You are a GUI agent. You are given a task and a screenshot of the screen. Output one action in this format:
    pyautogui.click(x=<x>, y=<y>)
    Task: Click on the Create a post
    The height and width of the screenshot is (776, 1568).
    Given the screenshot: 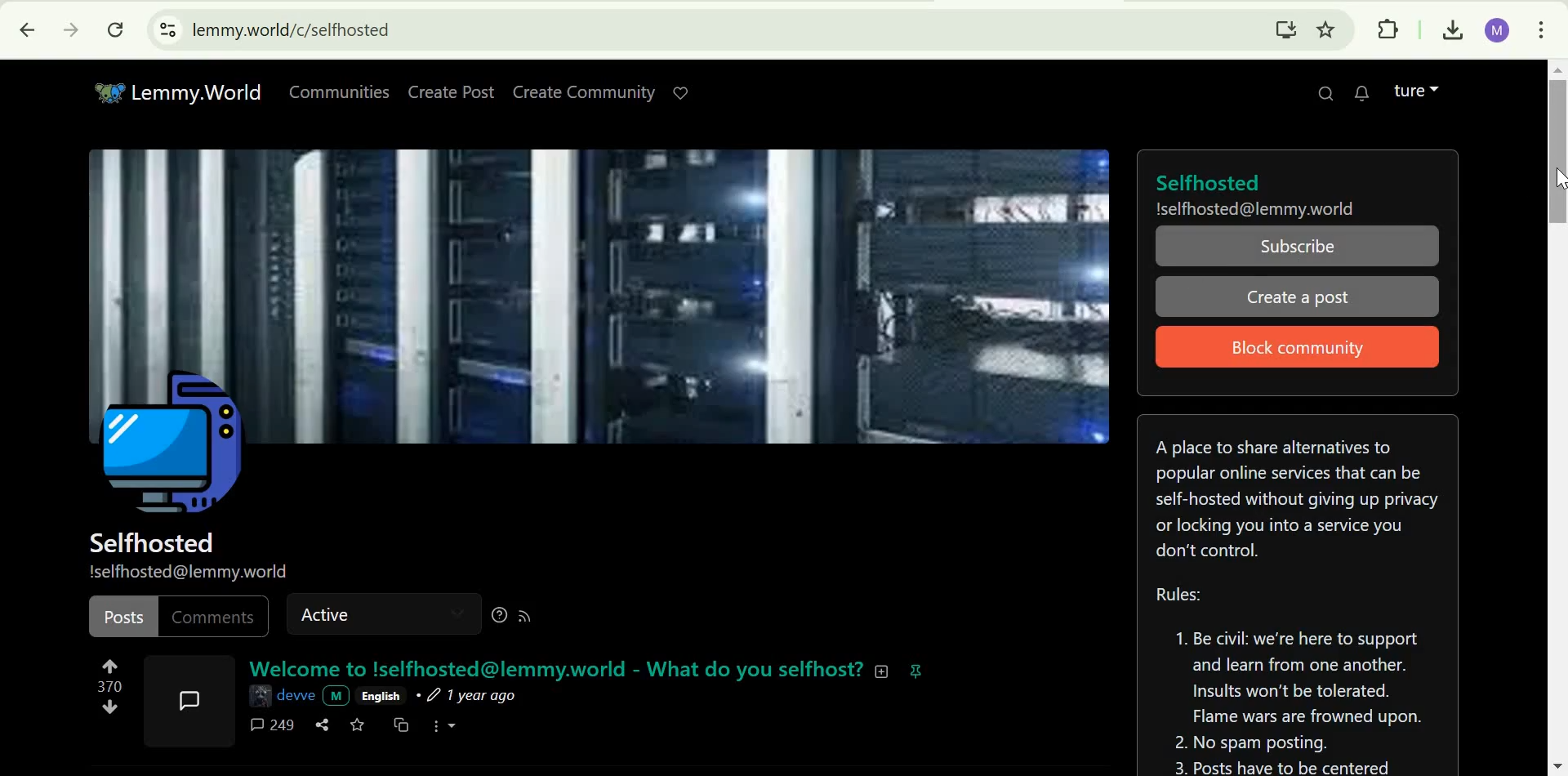 What is the action you would take?
    pyautogui.click(x=1295, y=297)
    